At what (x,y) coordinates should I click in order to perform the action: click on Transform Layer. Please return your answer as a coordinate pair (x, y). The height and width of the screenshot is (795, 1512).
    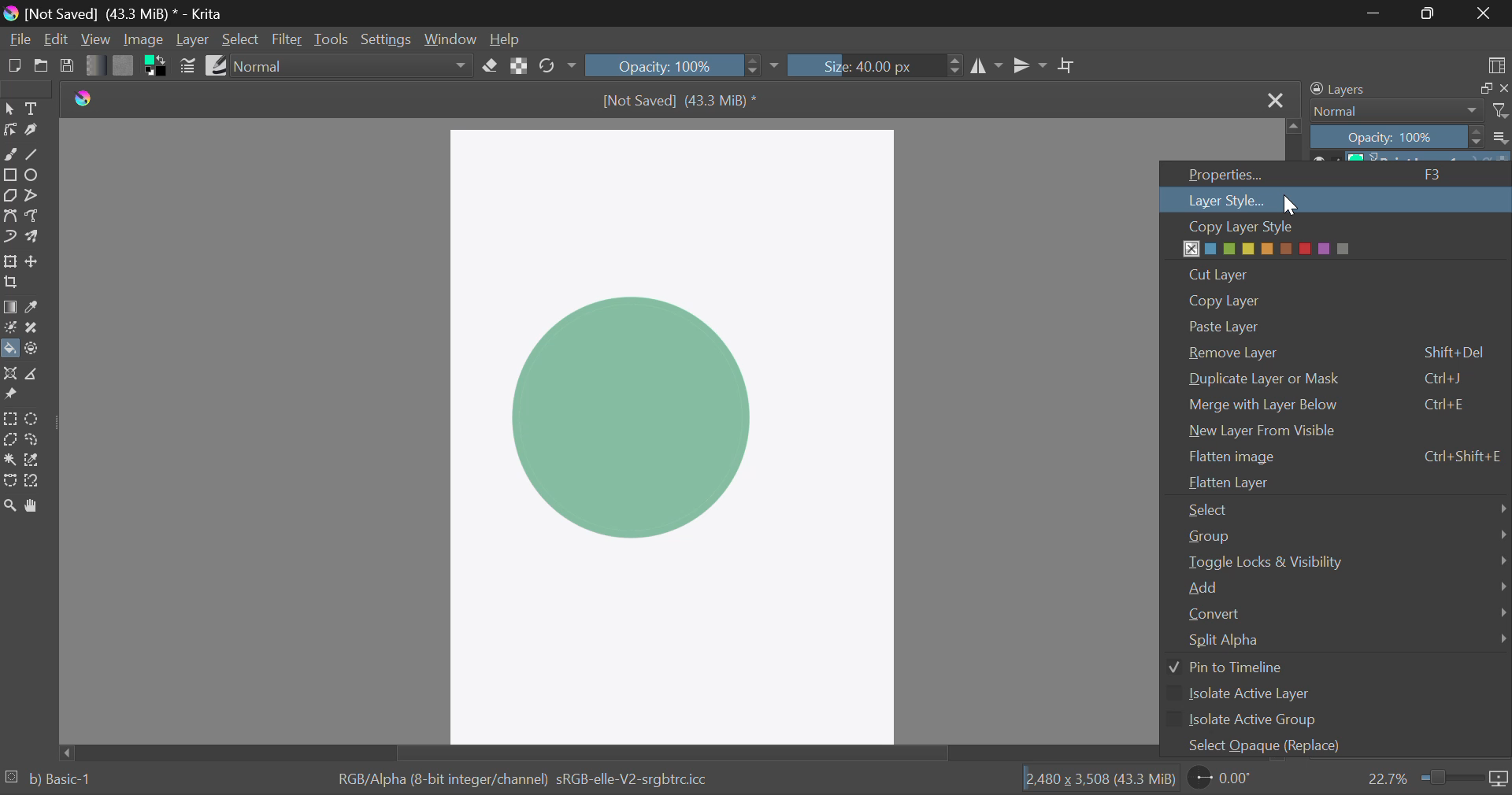
    Looking at the image, I should click on (9, 261).